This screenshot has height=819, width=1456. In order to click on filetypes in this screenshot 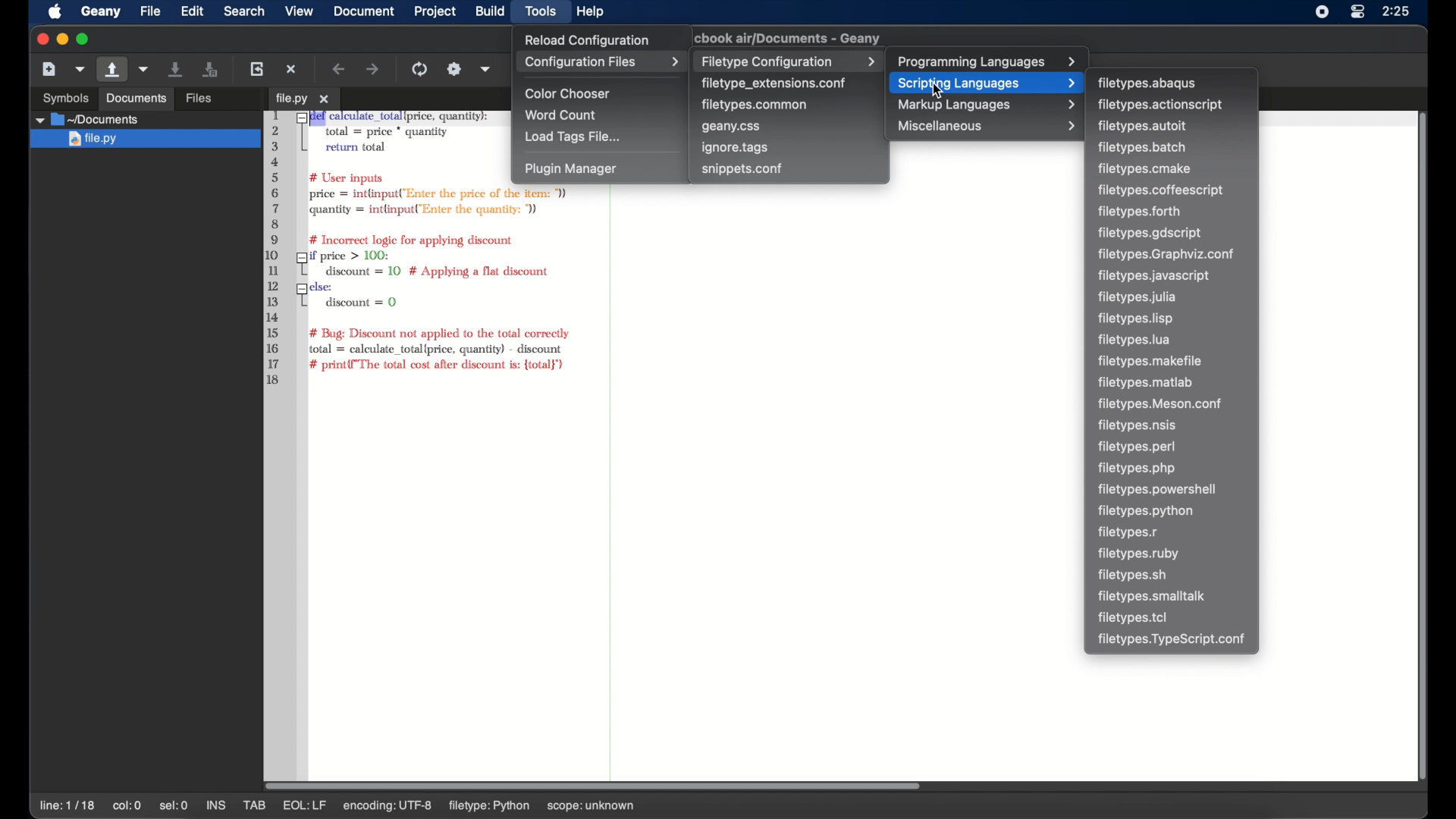, I will do `click(1174, 640)`.